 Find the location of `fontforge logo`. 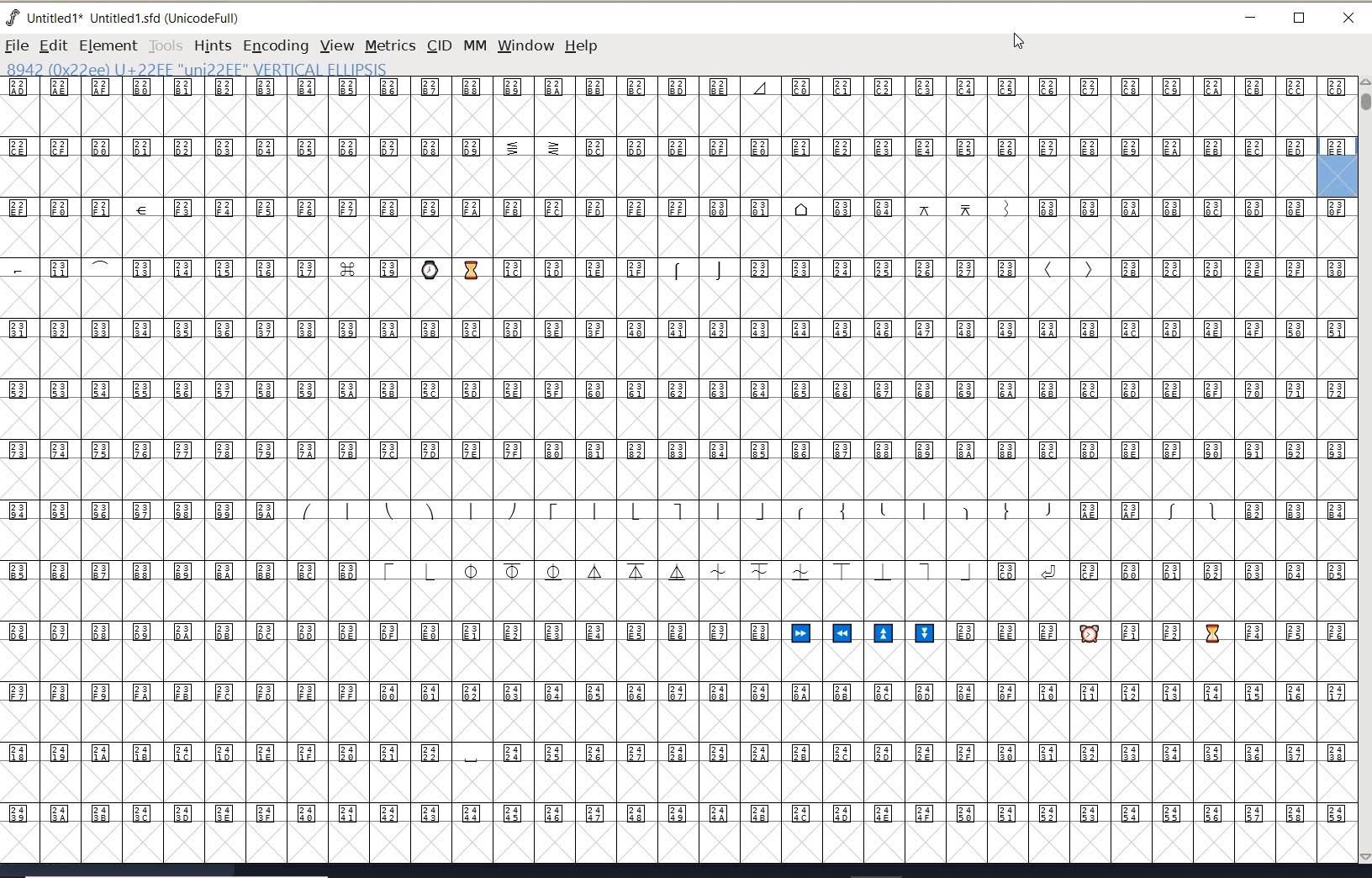

fontforge logo is located at coordinates (13, 18).